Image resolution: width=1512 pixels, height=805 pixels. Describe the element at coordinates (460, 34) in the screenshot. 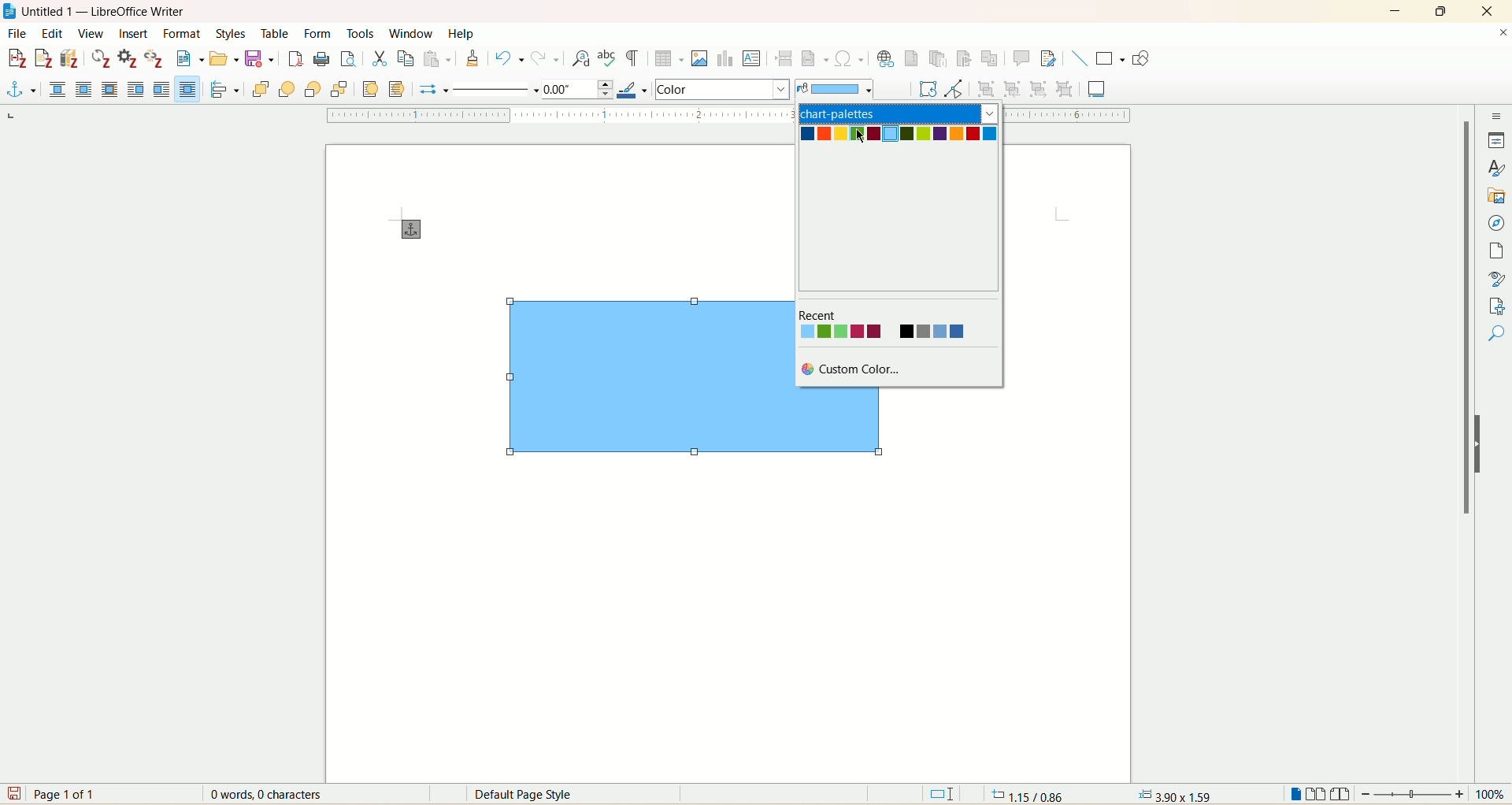

I see `help` at that location.